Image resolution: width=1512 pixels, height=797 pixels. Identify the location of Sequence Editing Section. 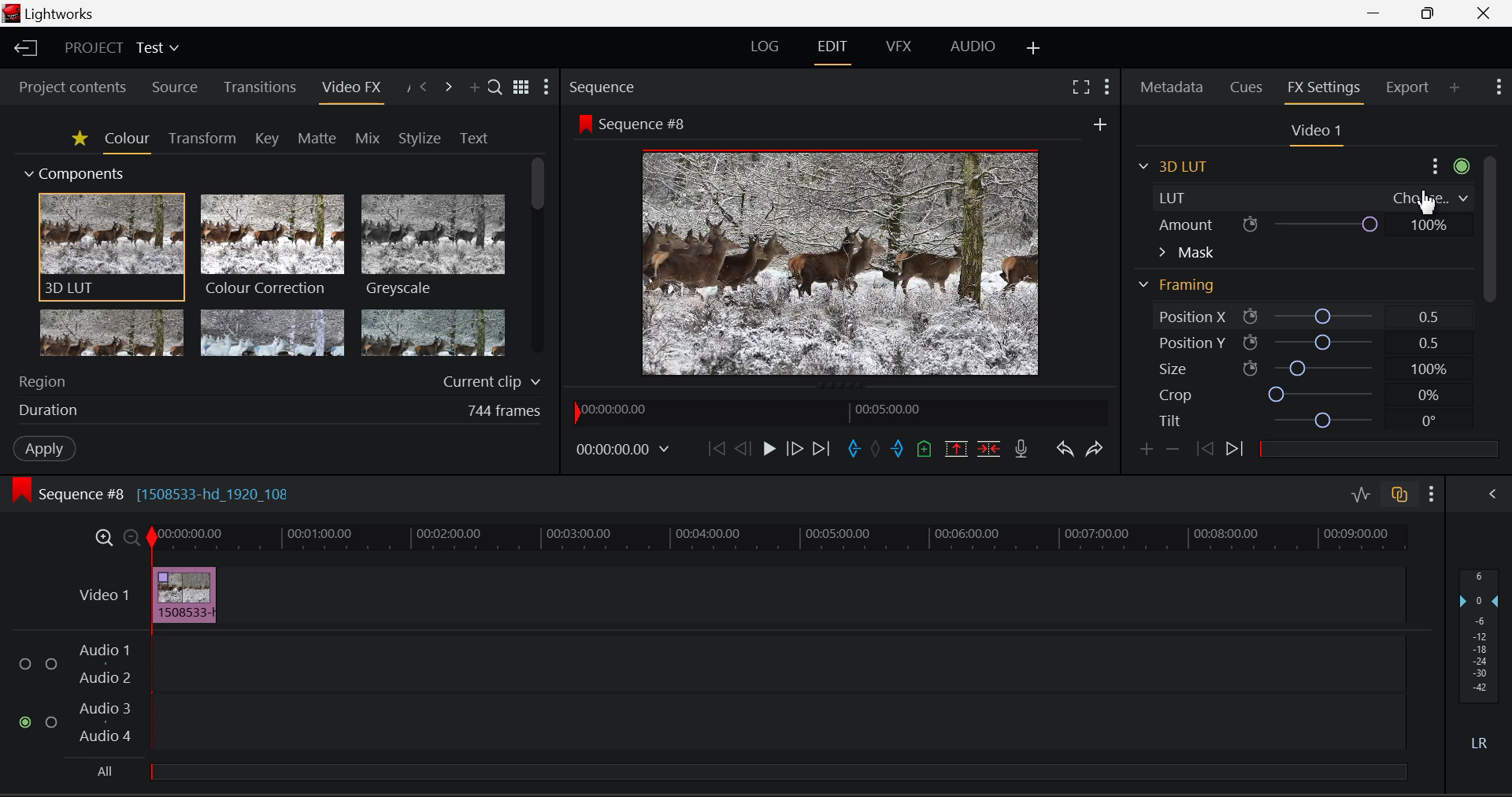
(157, 495).